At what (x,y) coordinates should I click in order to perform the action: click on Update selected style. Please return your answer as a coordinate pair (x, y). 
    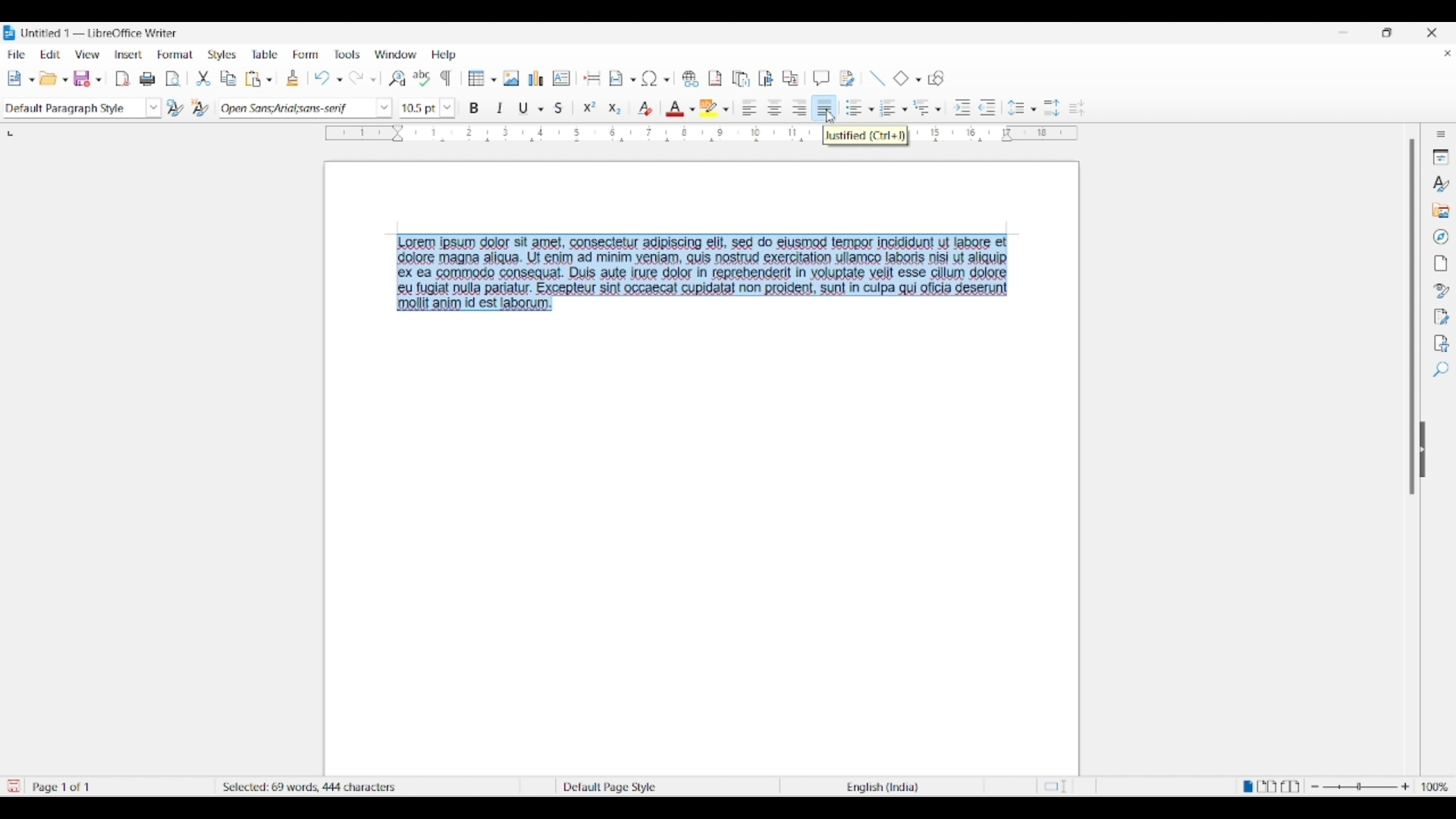
    Looking at the image, I should click on (176, 108).